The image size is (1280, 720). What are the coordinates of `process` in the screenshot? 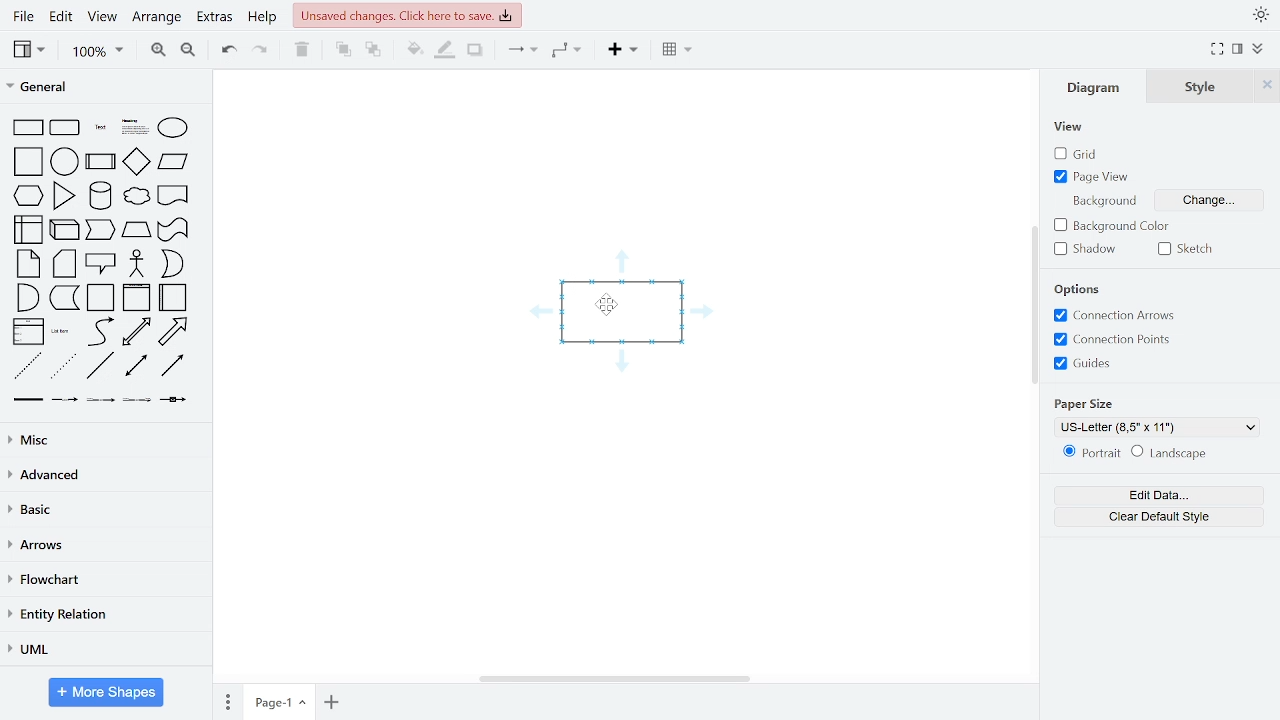 It's located at (100, 163).